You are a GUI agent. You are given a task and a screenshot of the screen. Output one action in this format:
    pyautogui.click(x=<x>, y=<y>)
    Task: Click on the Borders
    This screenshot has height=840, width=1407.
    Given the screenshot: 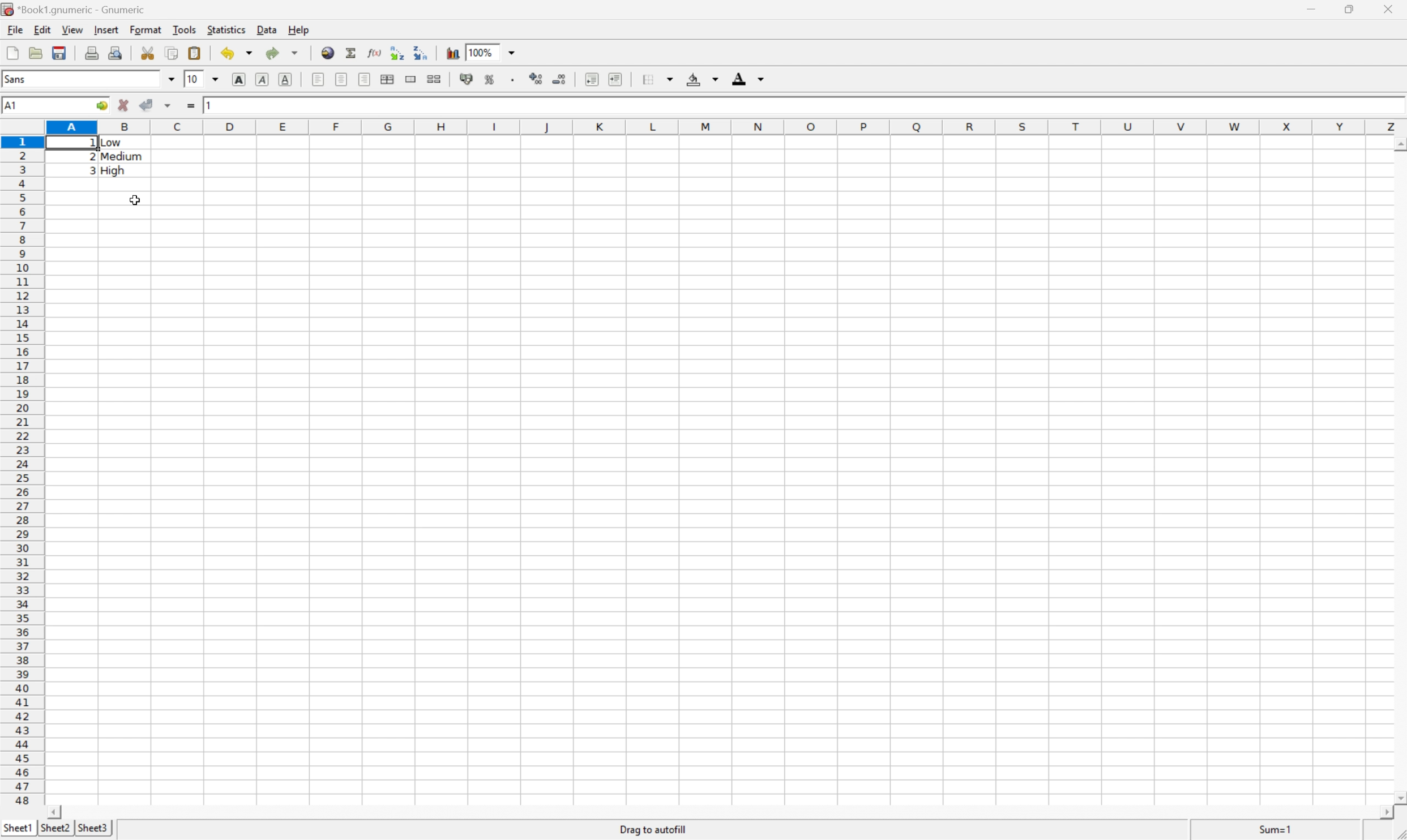 What is the action you would take?
    pyautogui.click(x=656, y=78)
    